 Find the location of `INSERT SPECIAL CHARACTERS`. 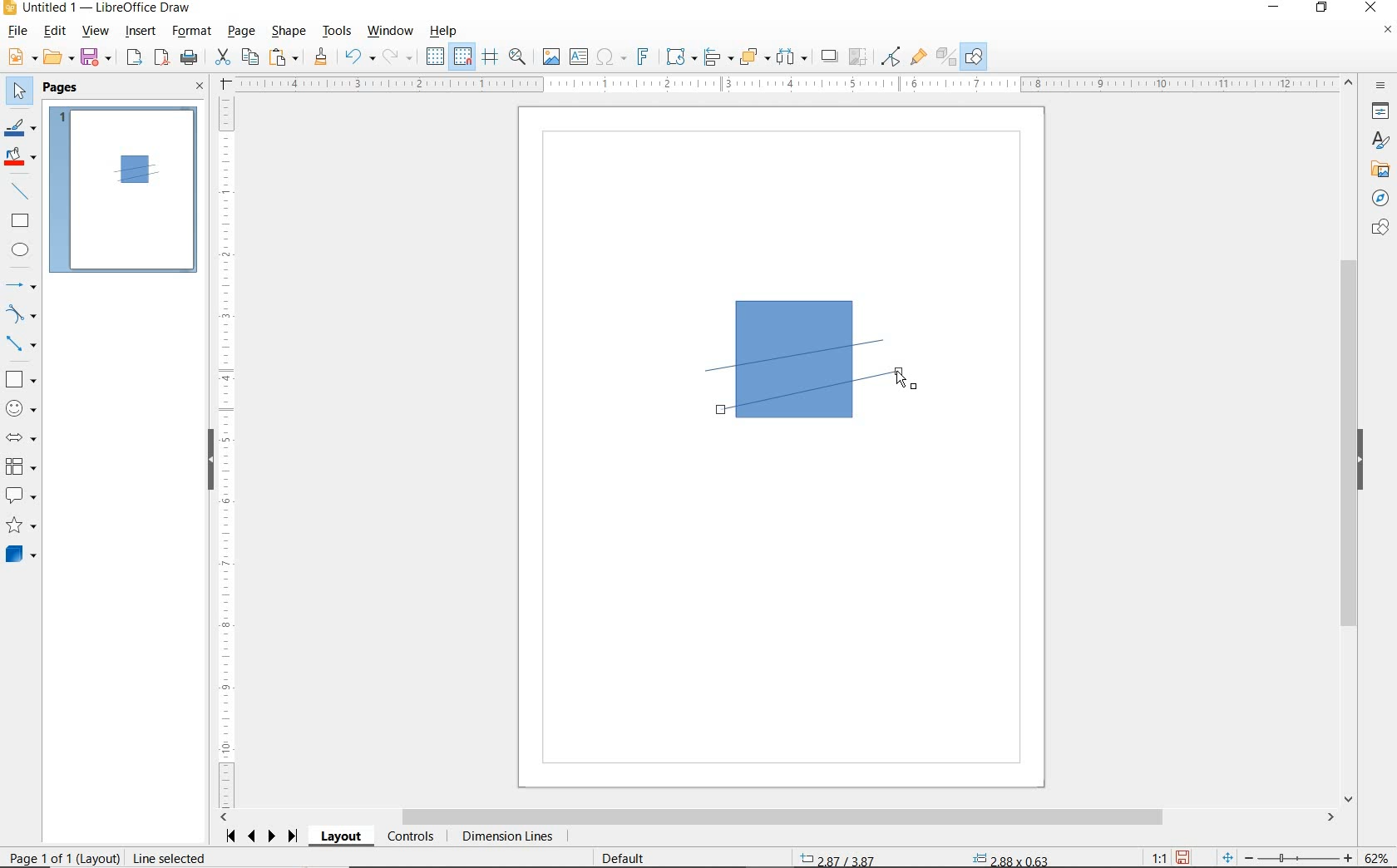

INSERT SPECIAL CHARACTERS is located at coordinates (610, 57).